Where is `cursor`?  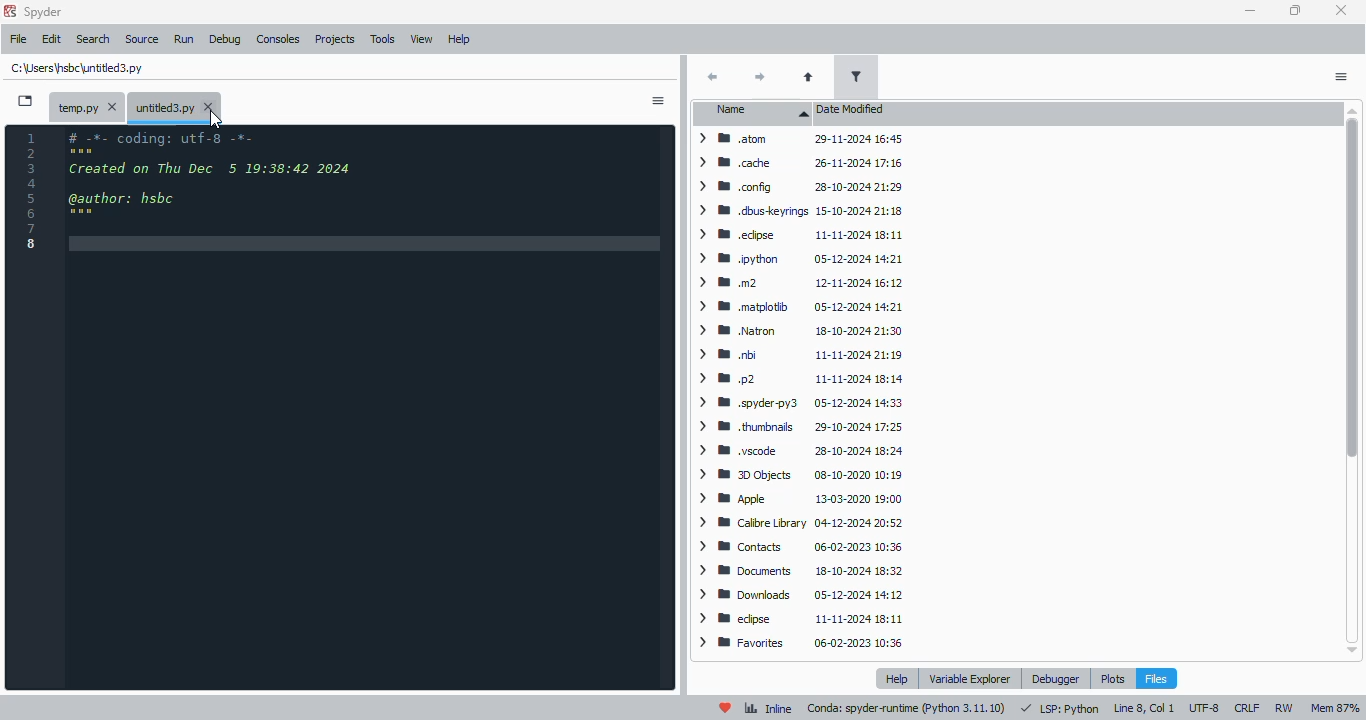
cursor is located at coordinates (216, 122).